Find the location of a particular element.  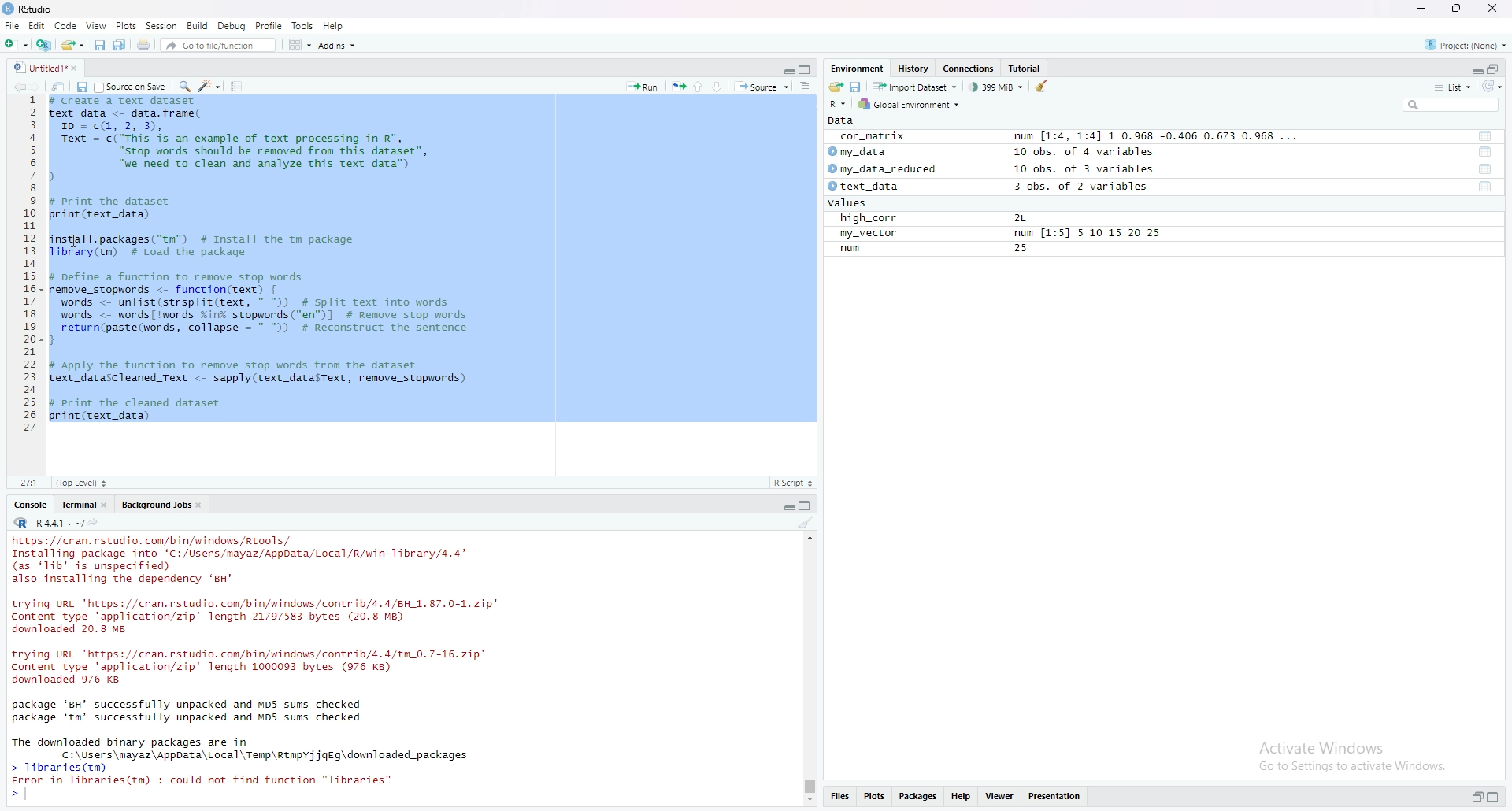

save workspace is located at coordinates (857, 87).